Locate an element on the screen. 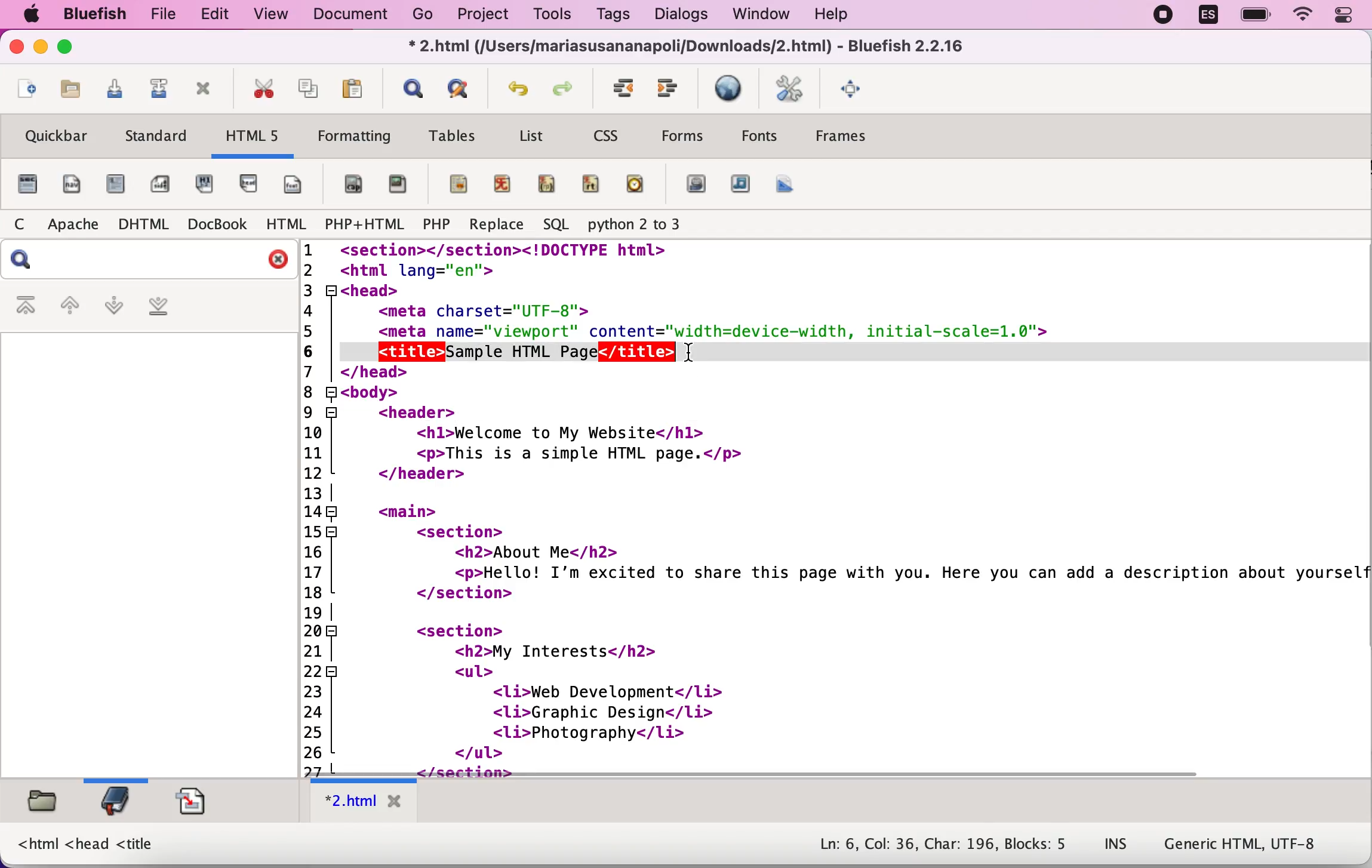 This screenshot has height=868, width=1372. close is located at coordinates (16, 48).